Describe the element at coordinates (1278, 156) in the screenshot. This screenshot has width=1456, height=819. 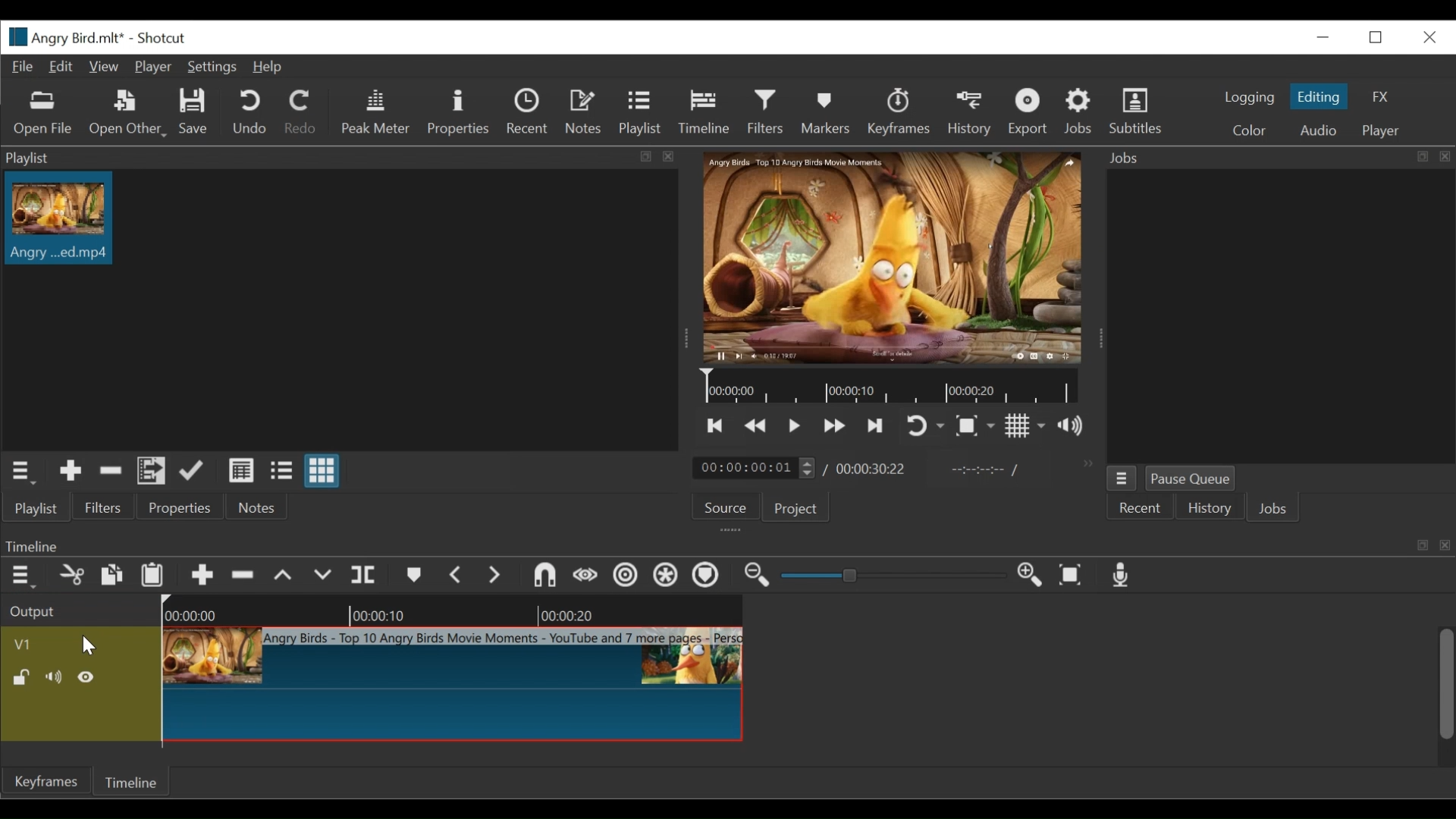
I see `Jobs` at that location.